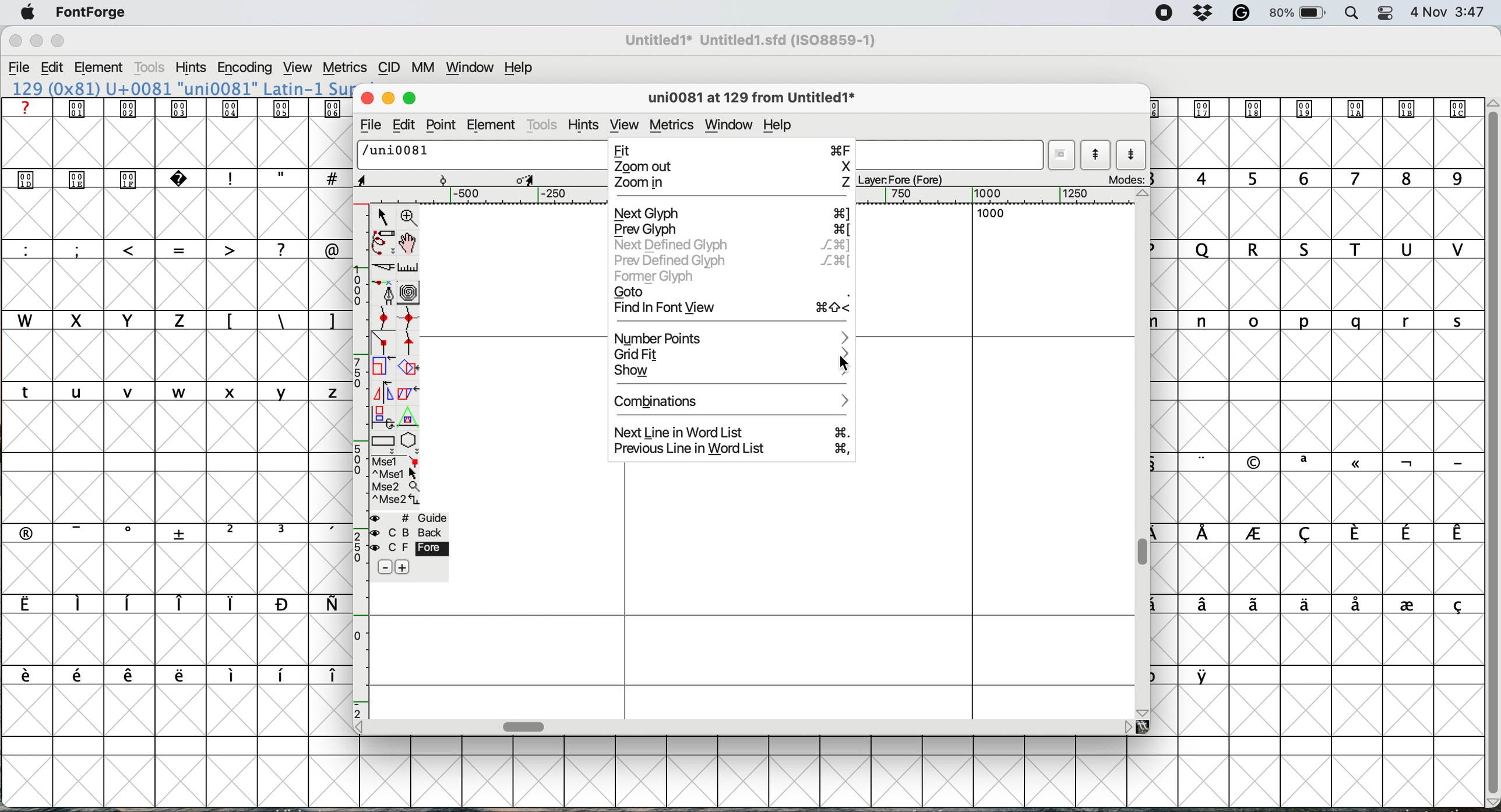 This screenshot has width=1501, height=812. I want to click on /uni0081, so click(397, 153).